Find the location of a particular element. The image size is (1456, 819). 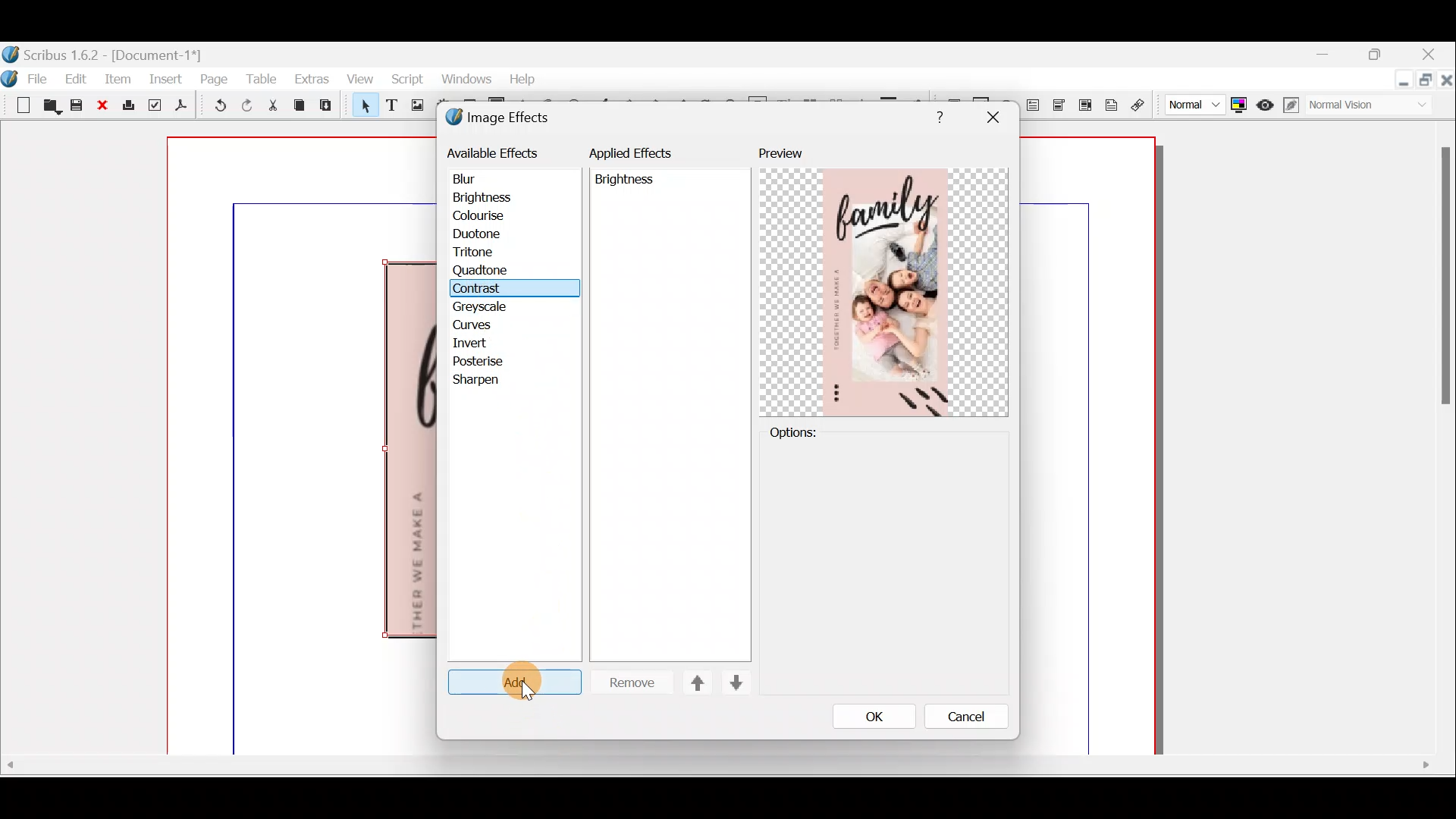

Tritone is located at coordinates (480, 253).